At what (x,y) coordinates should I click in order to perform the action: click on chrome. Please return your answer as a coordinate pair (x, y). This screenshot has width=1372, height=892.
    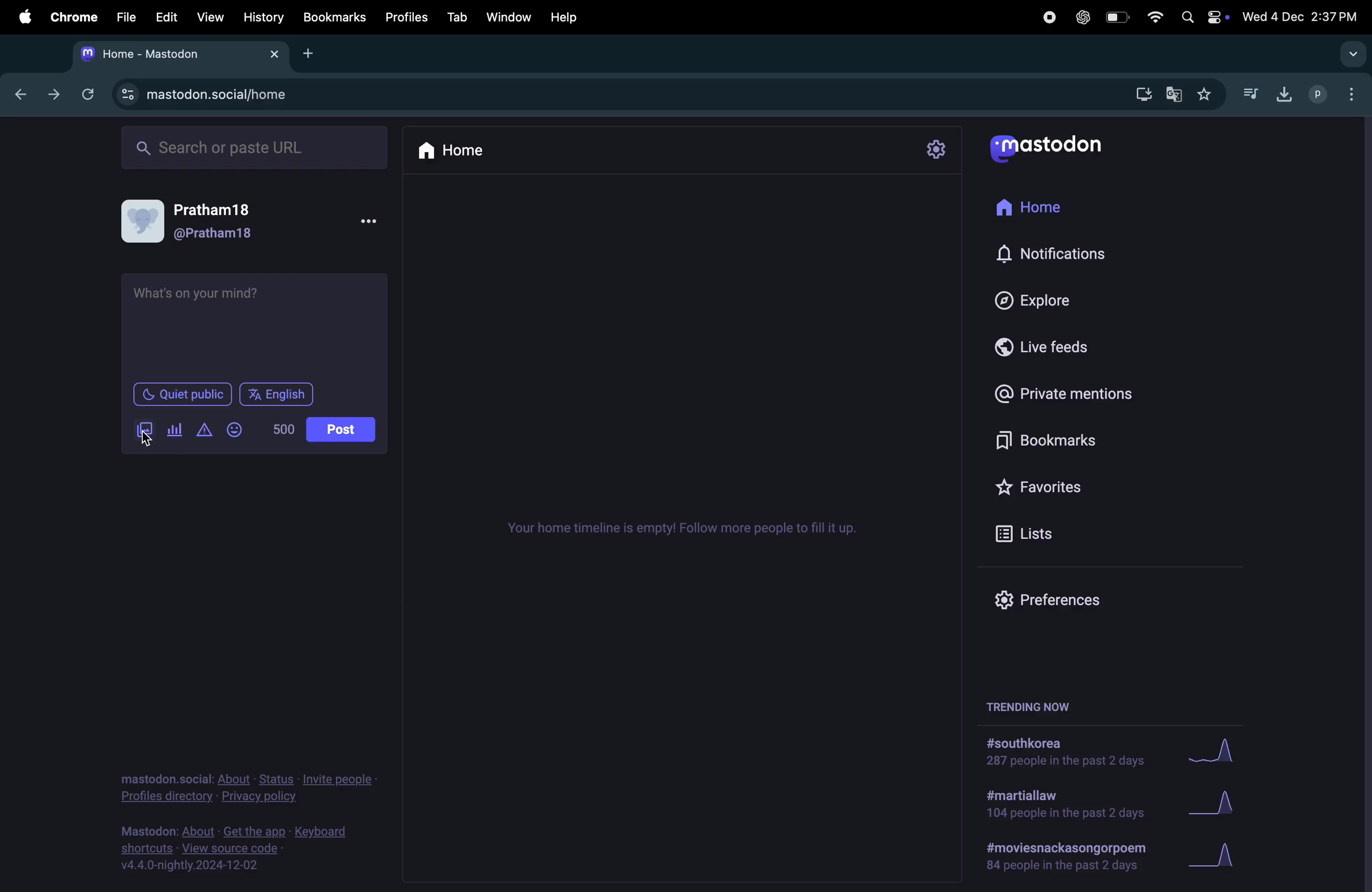
    Looking at the image, I should click on (71, 17).